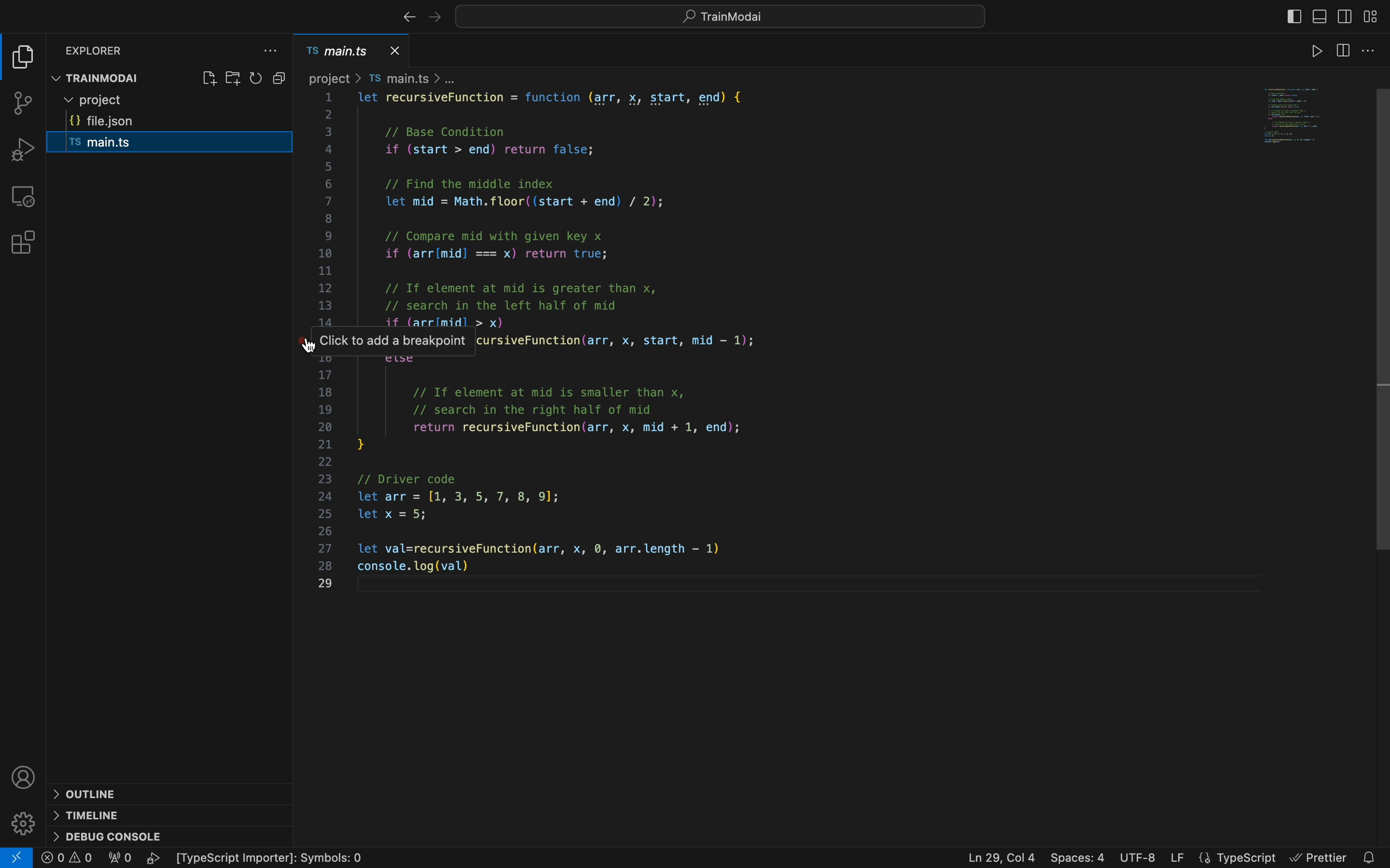  Describe the element at coordinates (207, 79) in the screenshot. I see `create file` at that location.